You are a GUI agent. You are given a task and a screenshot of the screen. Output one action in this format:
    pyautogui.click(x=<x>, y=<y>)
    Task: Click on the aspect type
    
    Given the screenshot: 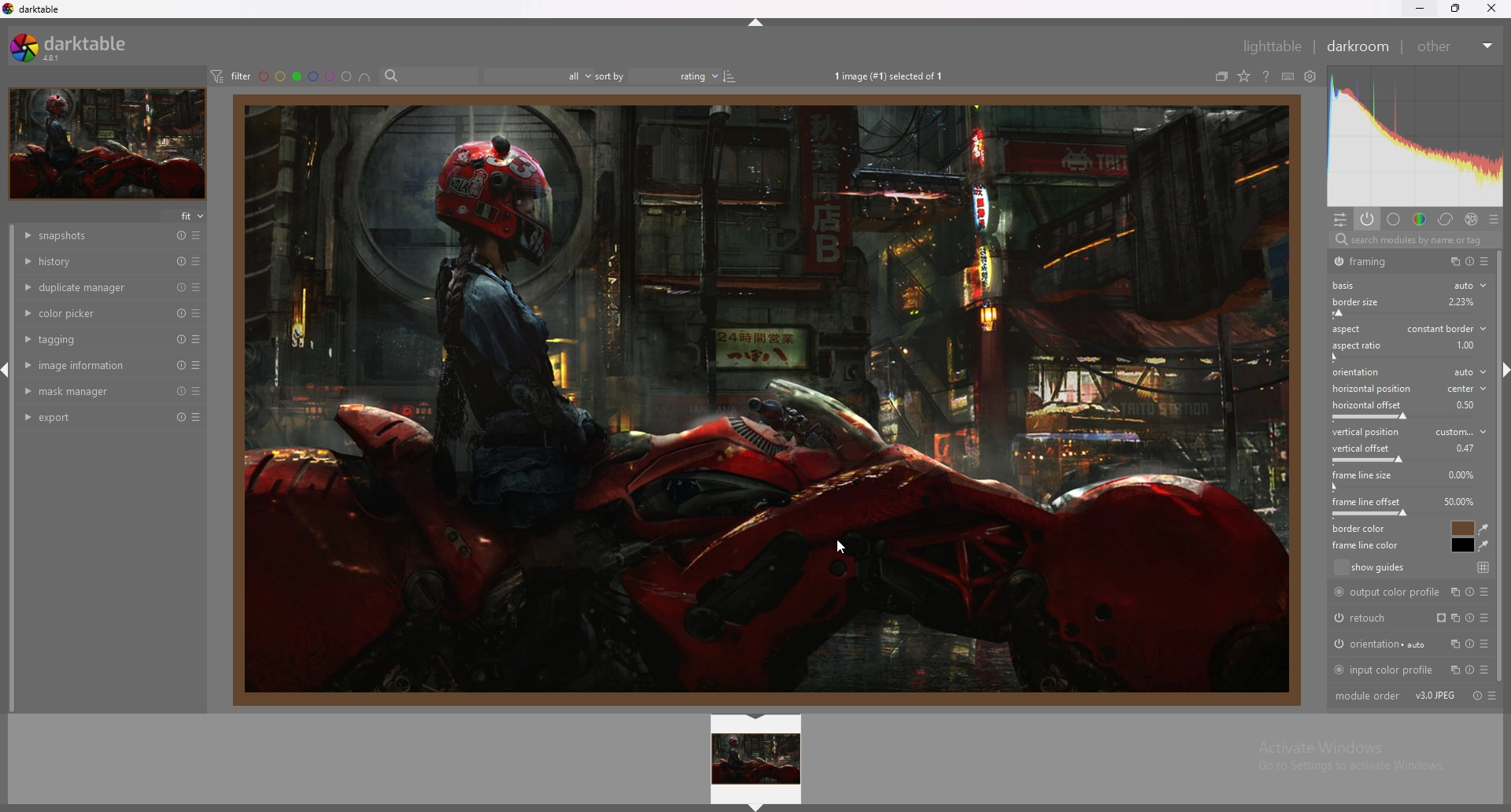 What is the action you would take?
    pyautogui.click(x=1446, y=327)
    